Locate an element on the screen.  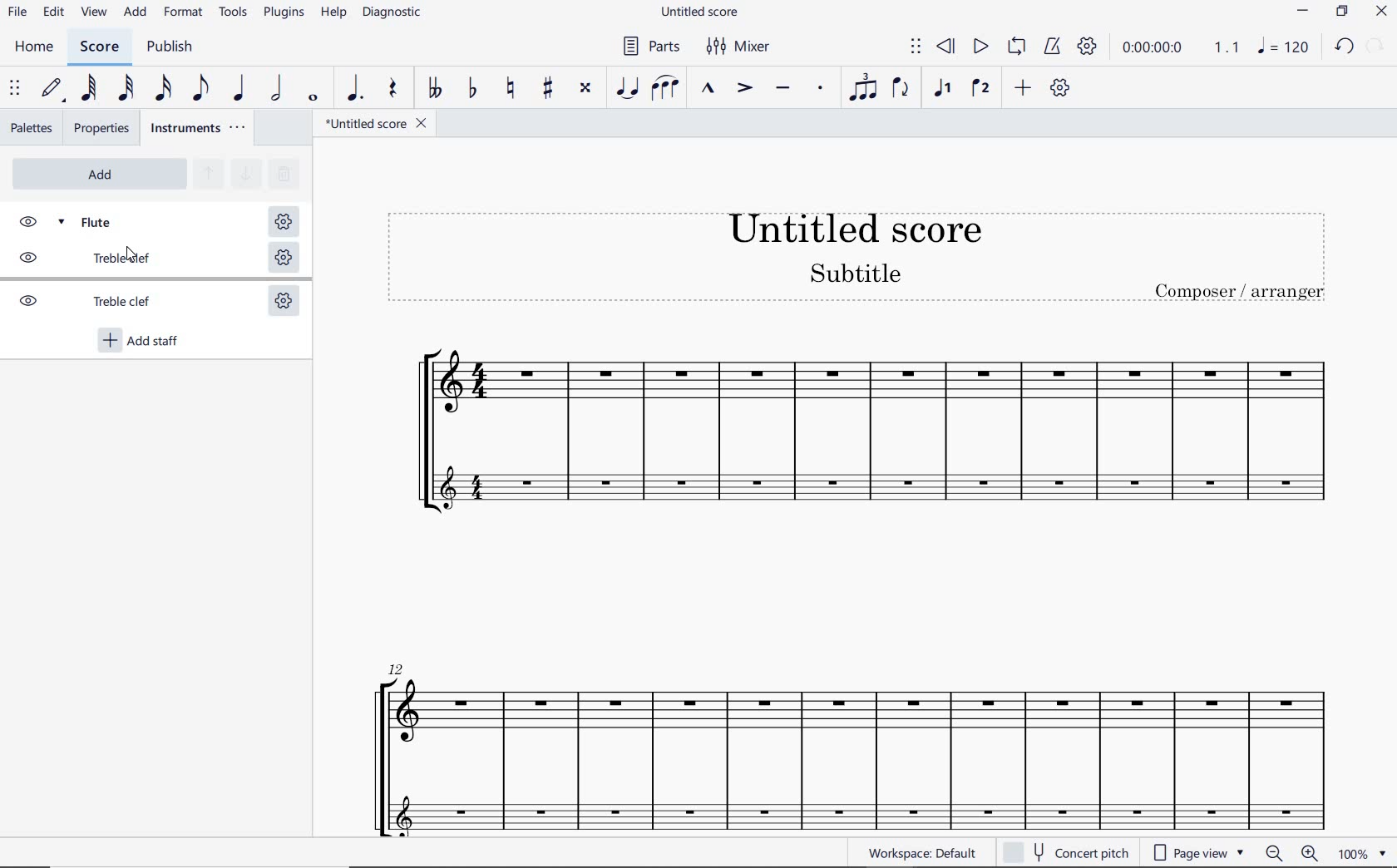
view is located at coordinates (96, 13).